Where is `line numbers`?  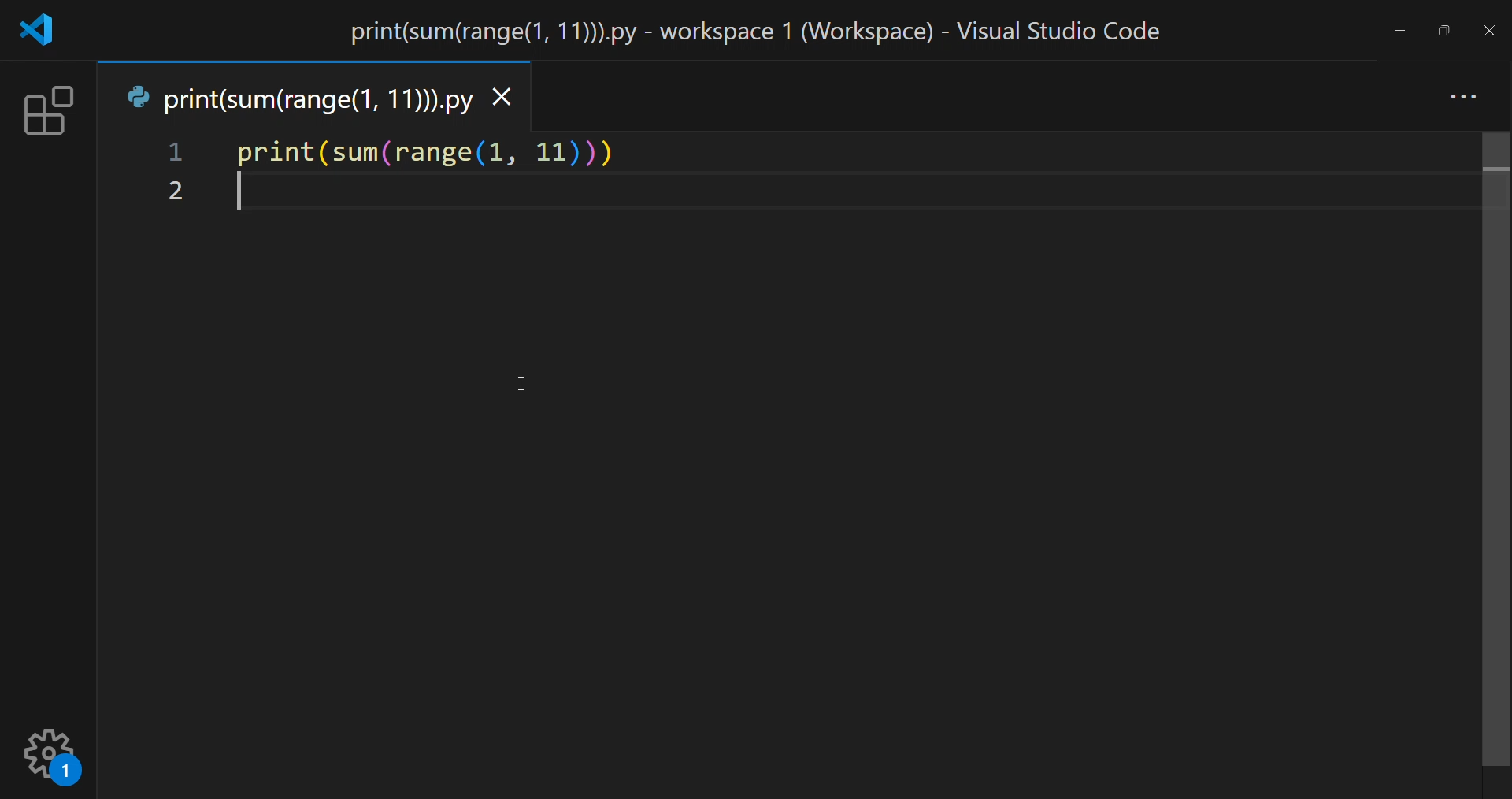
line numbers is located at coordinates (172, 175).